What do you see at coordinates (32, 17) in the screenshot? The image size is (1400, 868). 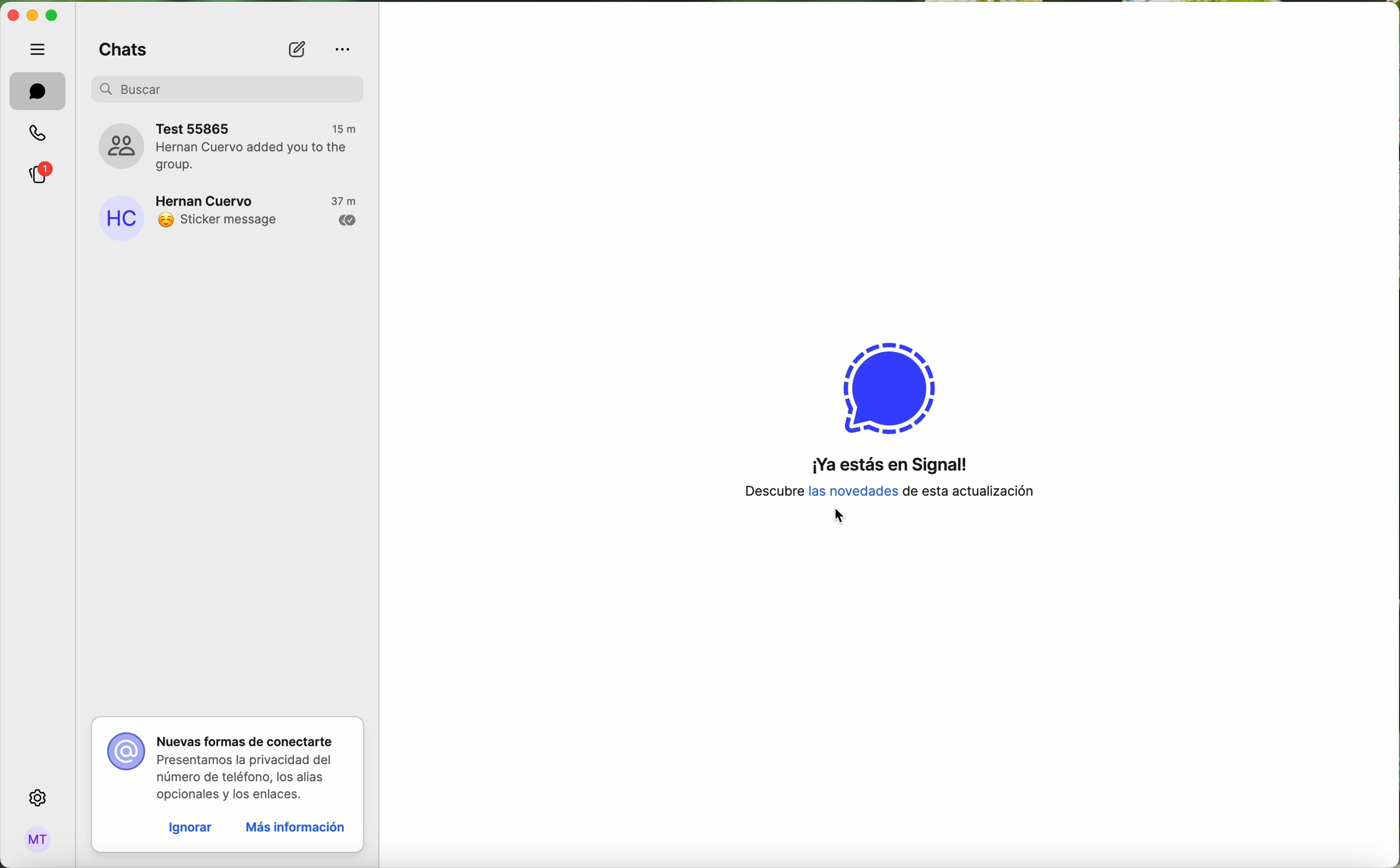 I see `minimize` at bounding box center [32, 17].